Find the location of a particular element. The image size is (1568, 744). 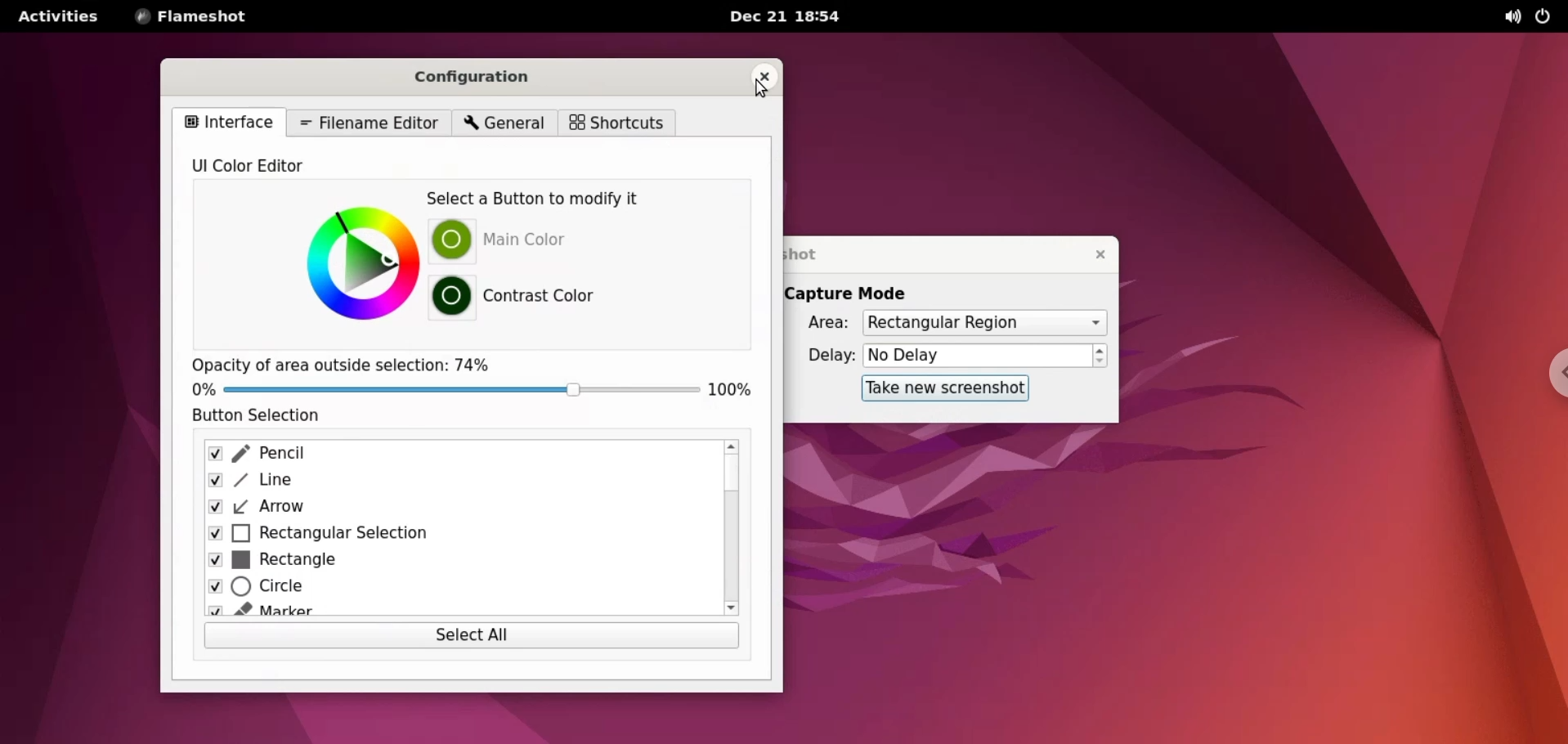

delay: is located at coordinates (822, 358).